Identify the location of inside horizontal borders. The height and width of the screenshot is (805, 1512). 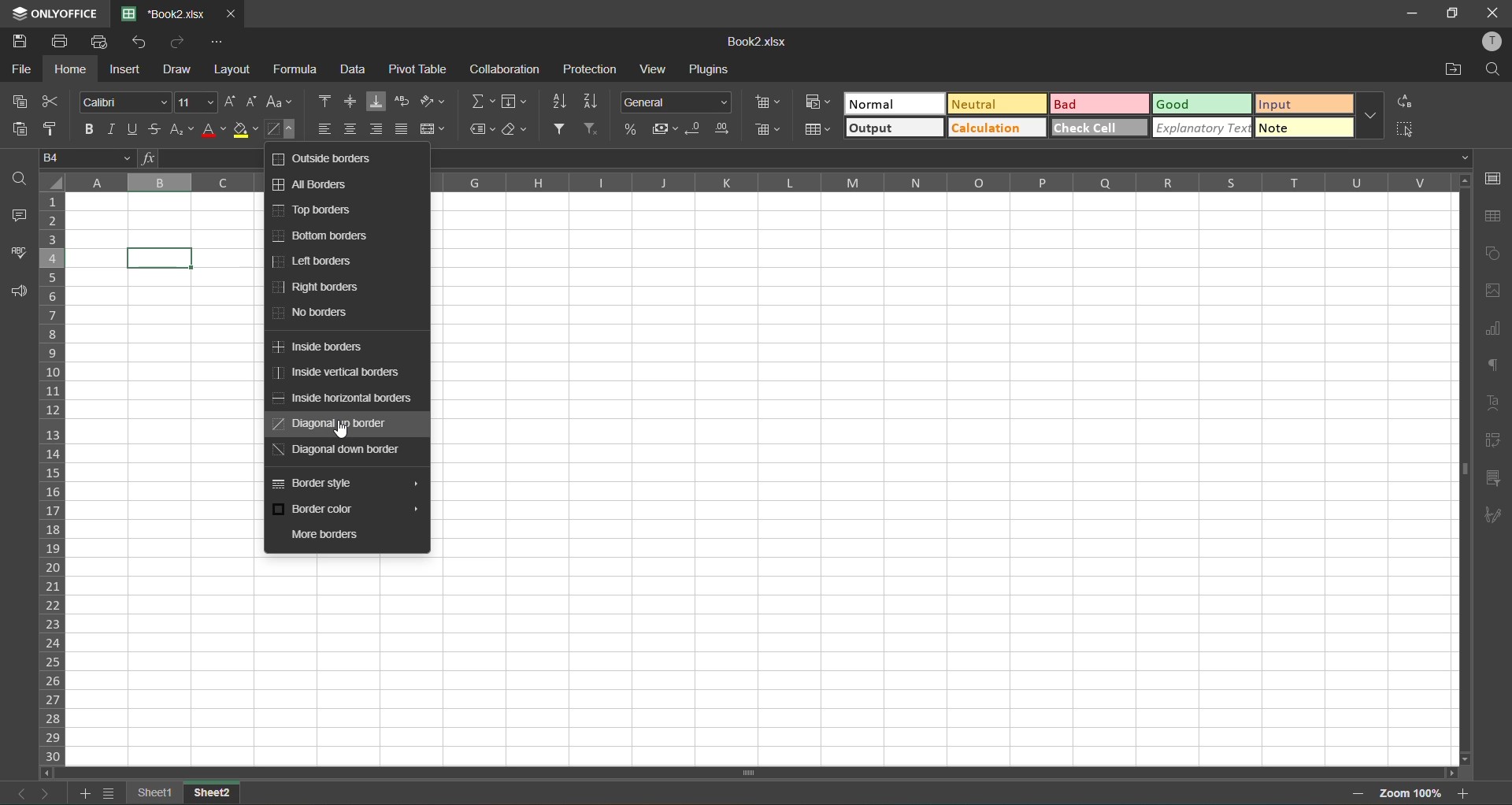
(347, 398).